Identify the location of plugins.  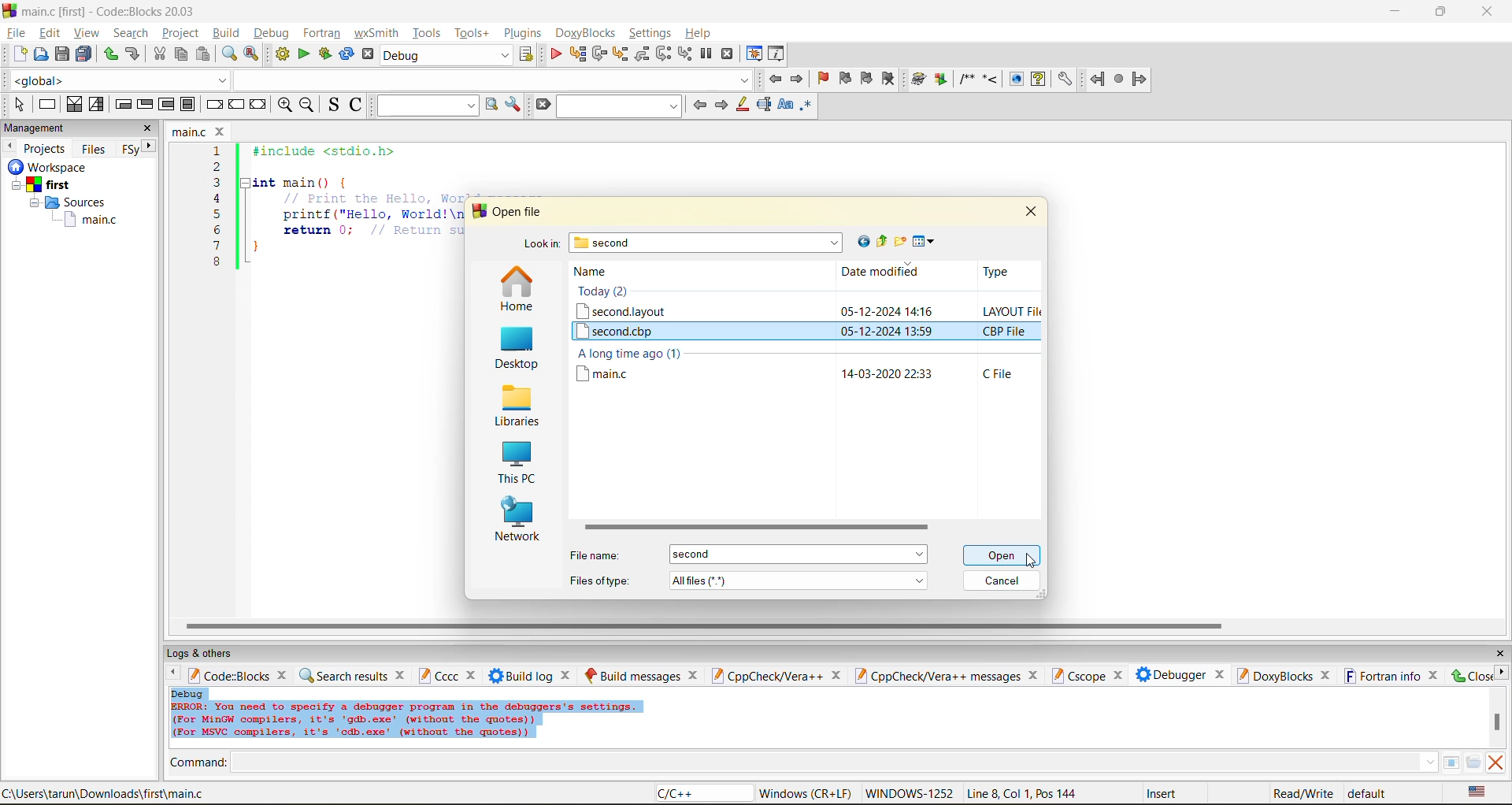
(524, 33).